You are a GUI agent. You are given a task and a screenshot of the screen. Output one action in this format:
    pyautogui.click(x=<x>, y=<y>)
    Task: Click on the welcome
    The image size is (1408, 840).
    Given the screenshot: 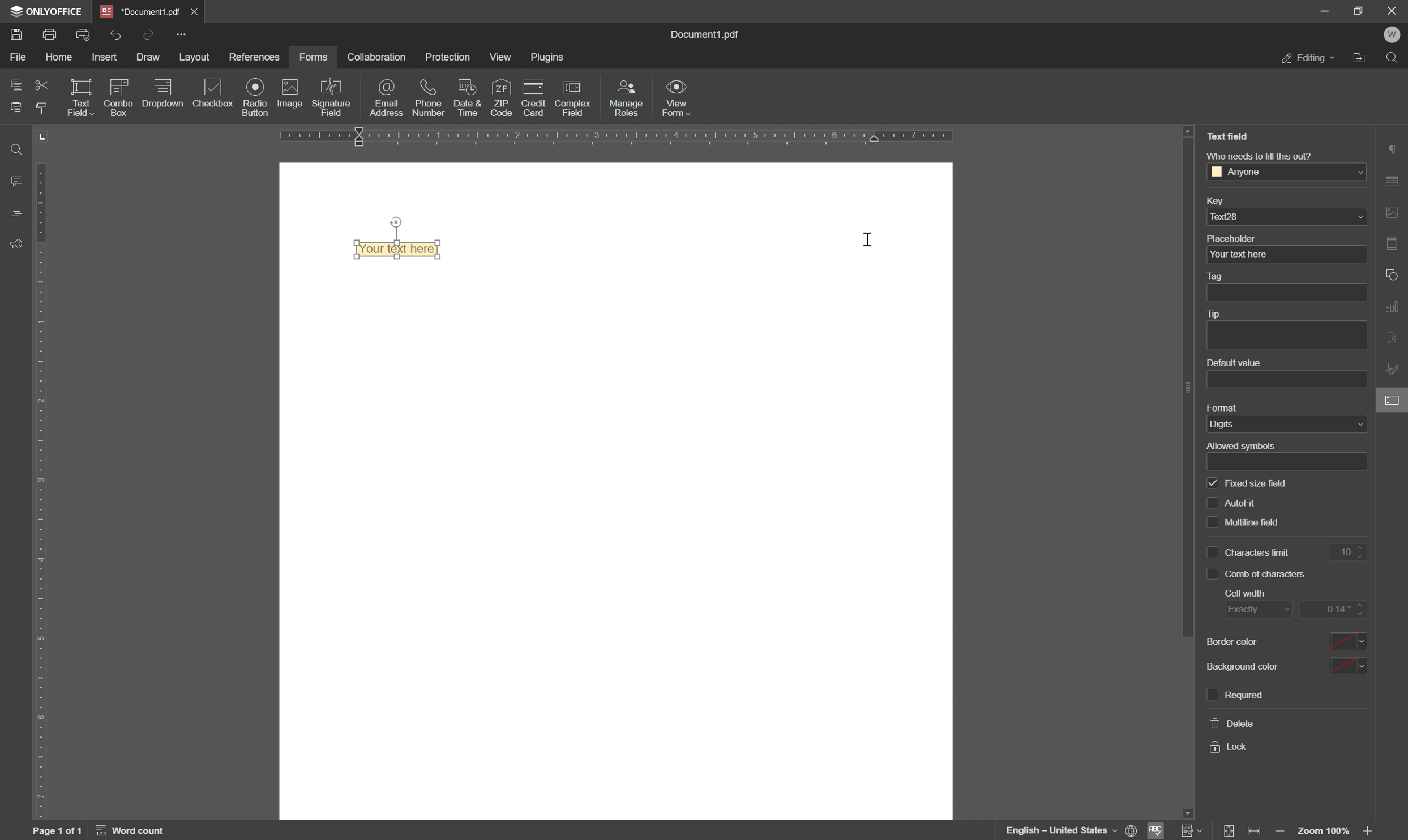 What is the action you would take?
    pyautogui.click(x=1393, y=35)
    